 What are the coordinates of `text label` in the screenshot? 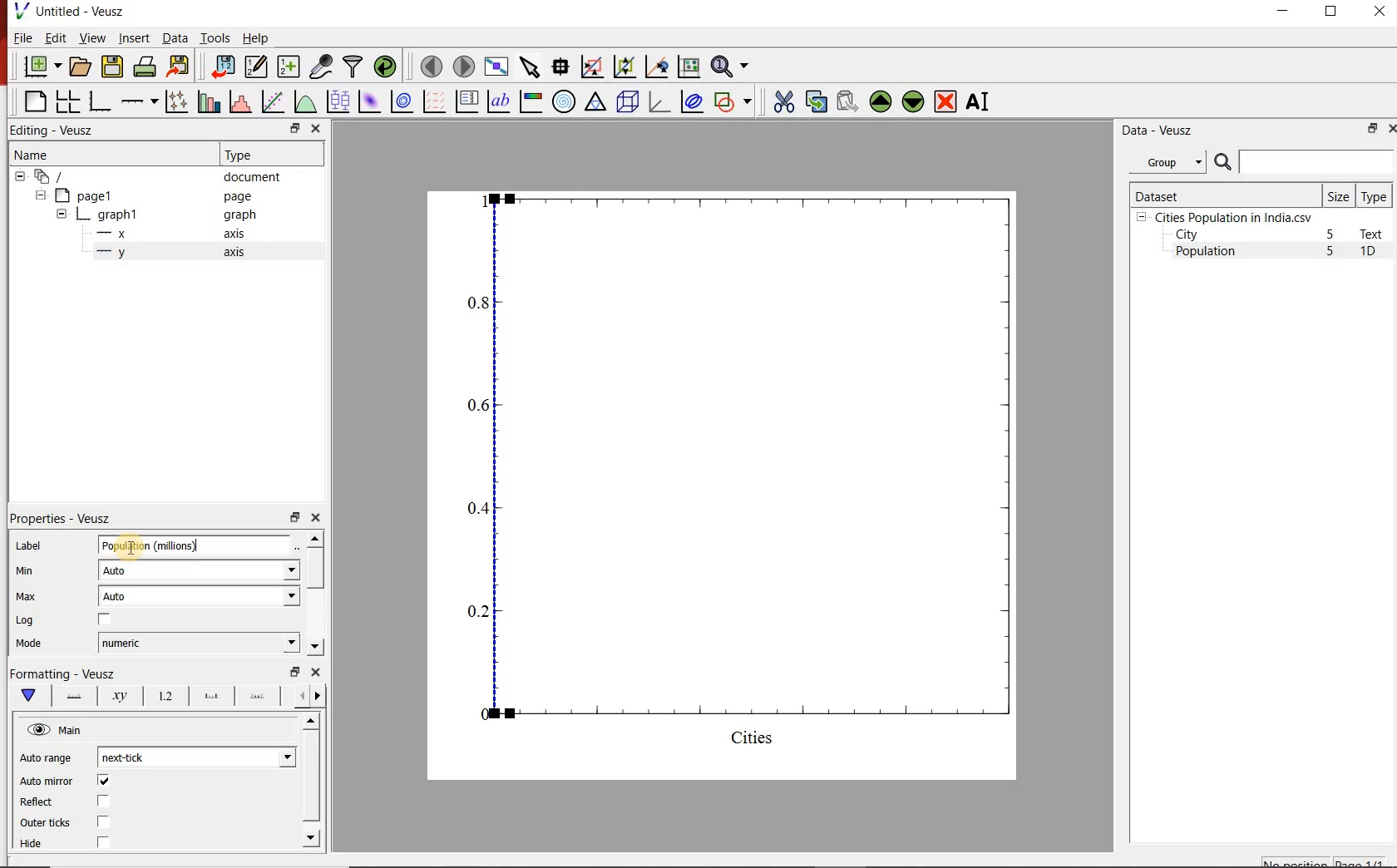 It's located at (498, 101).